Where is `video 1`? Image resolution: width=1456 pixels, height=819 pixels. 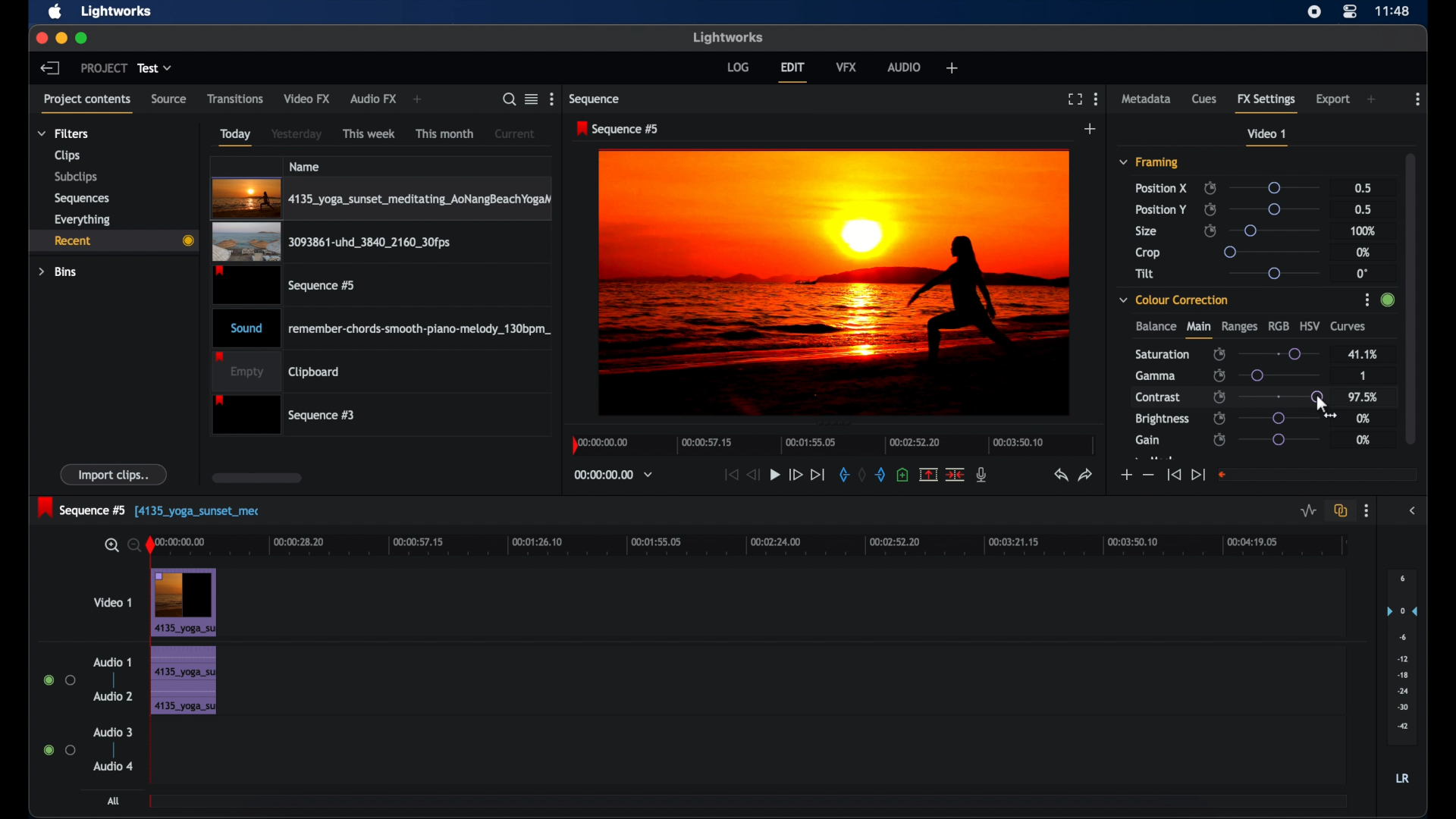
video 1 is located at coordinates (1268, 137).